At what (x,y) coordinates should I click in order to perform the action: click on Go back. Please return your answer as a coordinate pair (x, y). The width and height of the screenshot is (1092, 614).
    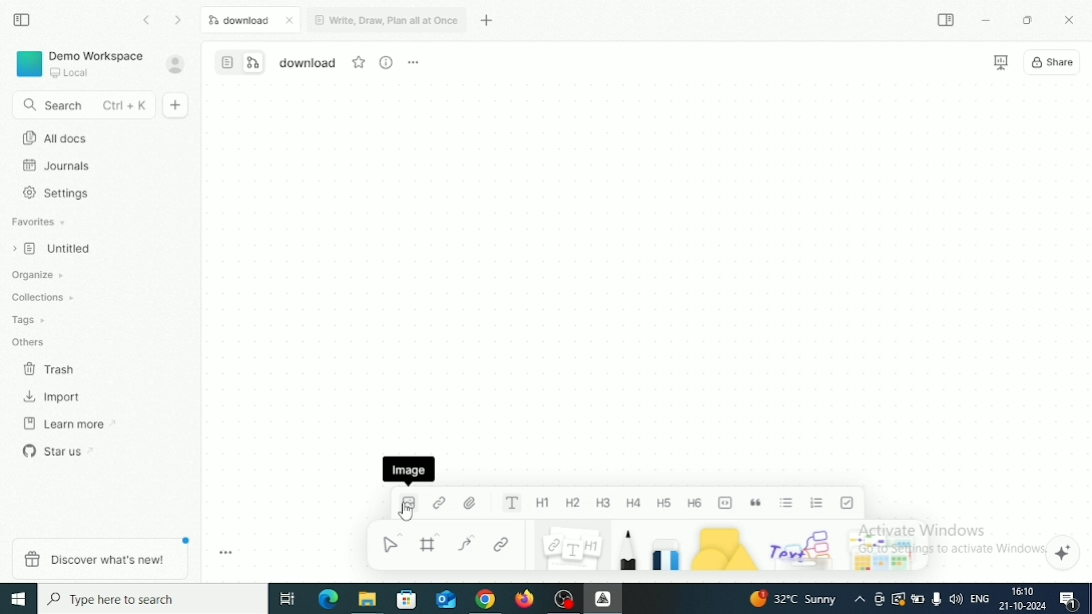
    Looking at the image, I should click on (148, 19).